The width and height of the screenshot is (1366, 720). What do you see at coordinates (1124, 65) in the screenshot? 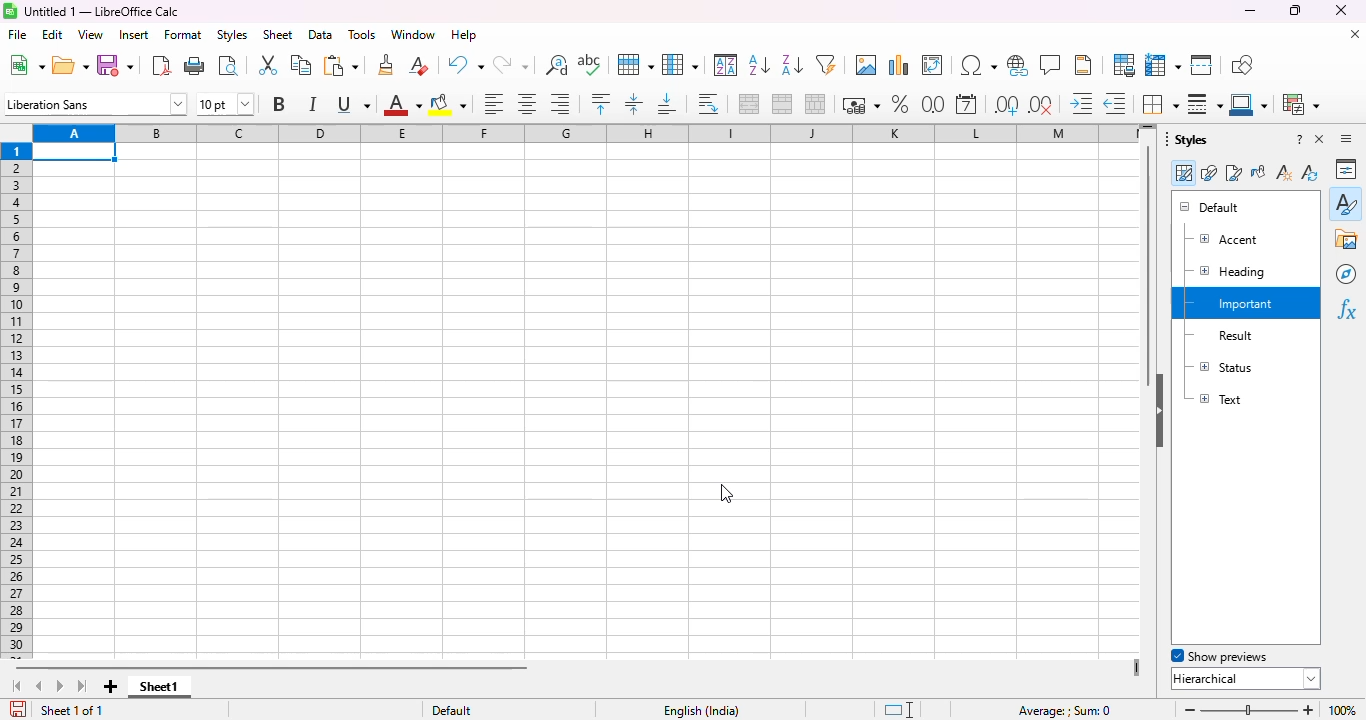
I see `define print area` at bounding box center [1124, 65].